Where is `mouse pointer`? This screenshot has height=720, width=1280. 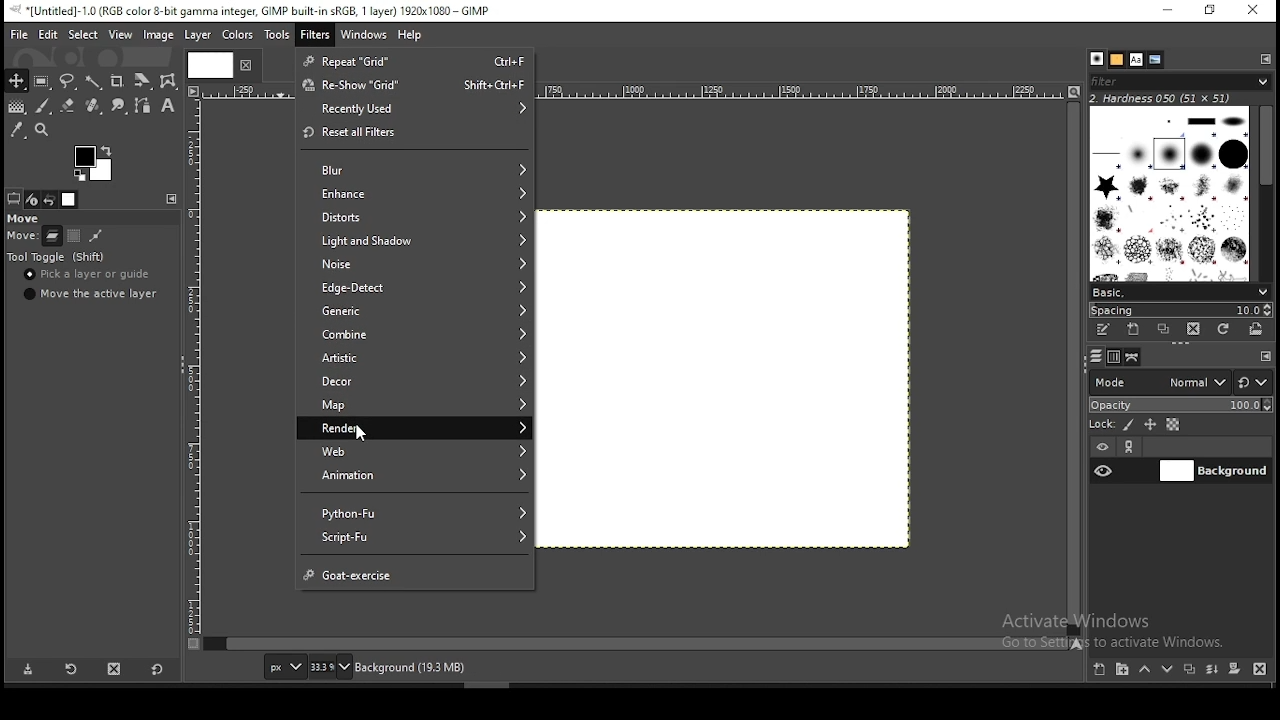 mouse pointer is located at coordinates (359, 435).